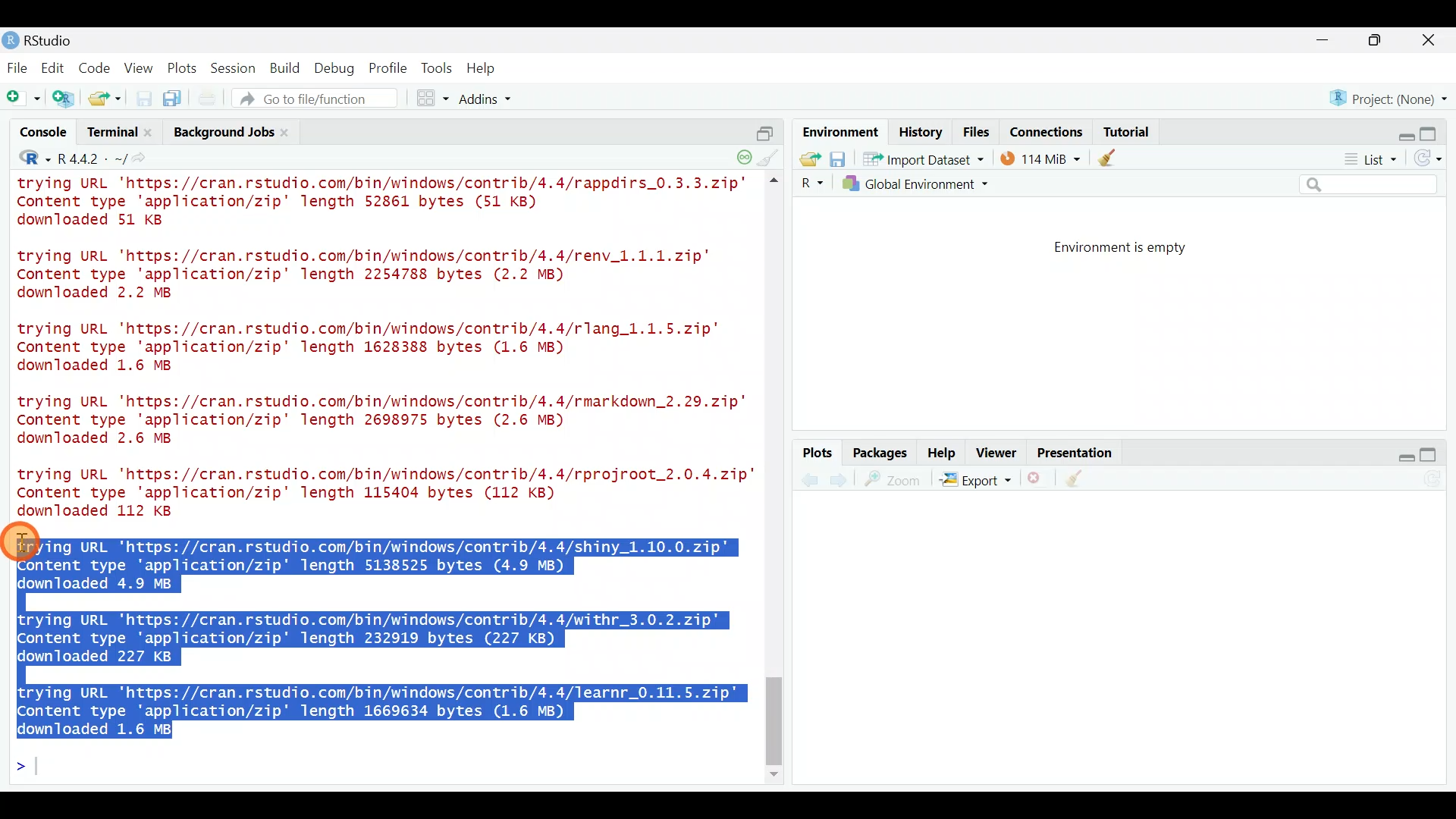 Image resolution: width=1456 pixels, height=819 pixels. I want to click on Code, so click(96, 67).